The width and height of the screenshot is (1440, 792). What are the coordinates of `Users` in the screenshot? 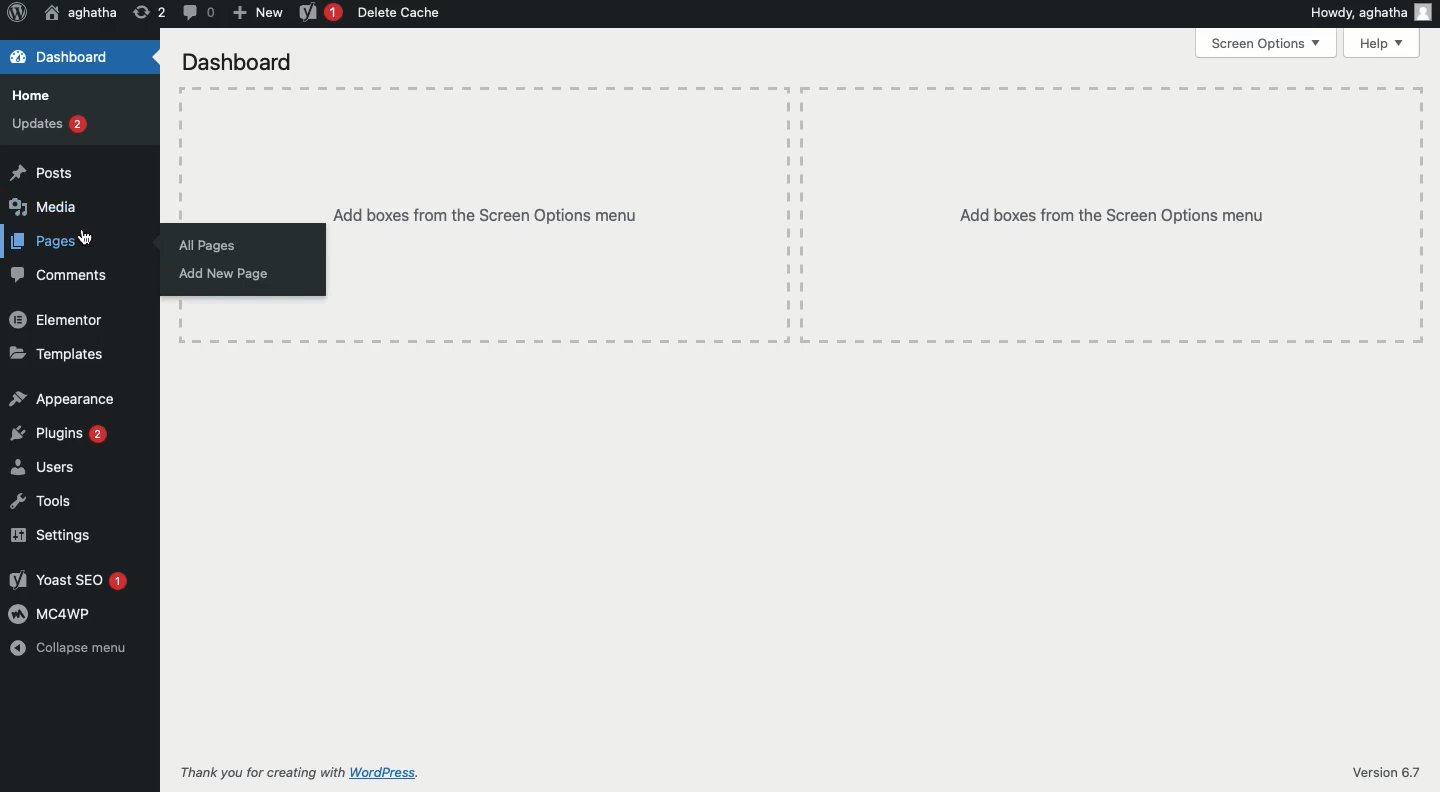 It's located at (44, 466).